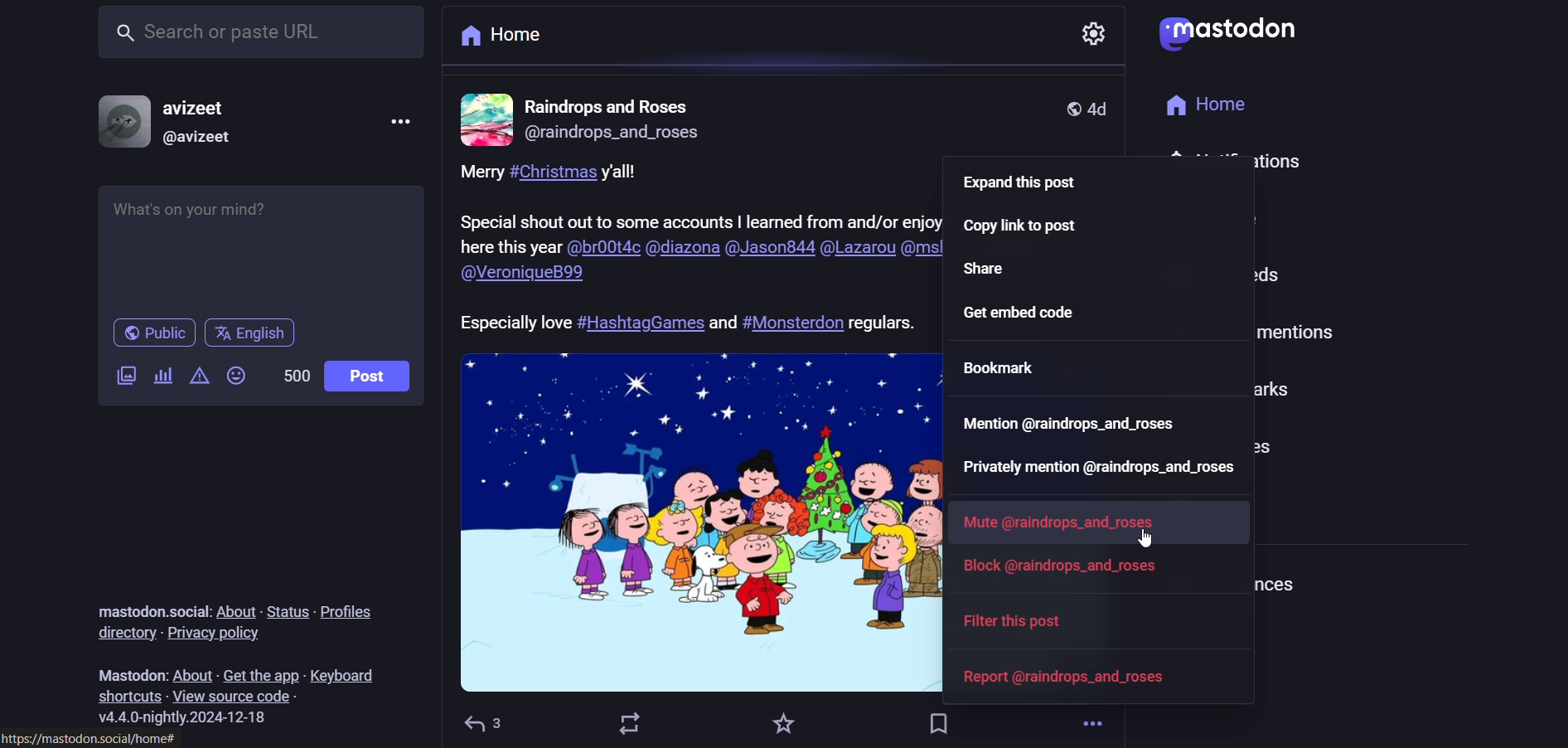 The height and width of the screenshot is (748, 1568). Describe the element at coordinates (259, 334) in the screenshot. I see `English` at that location.